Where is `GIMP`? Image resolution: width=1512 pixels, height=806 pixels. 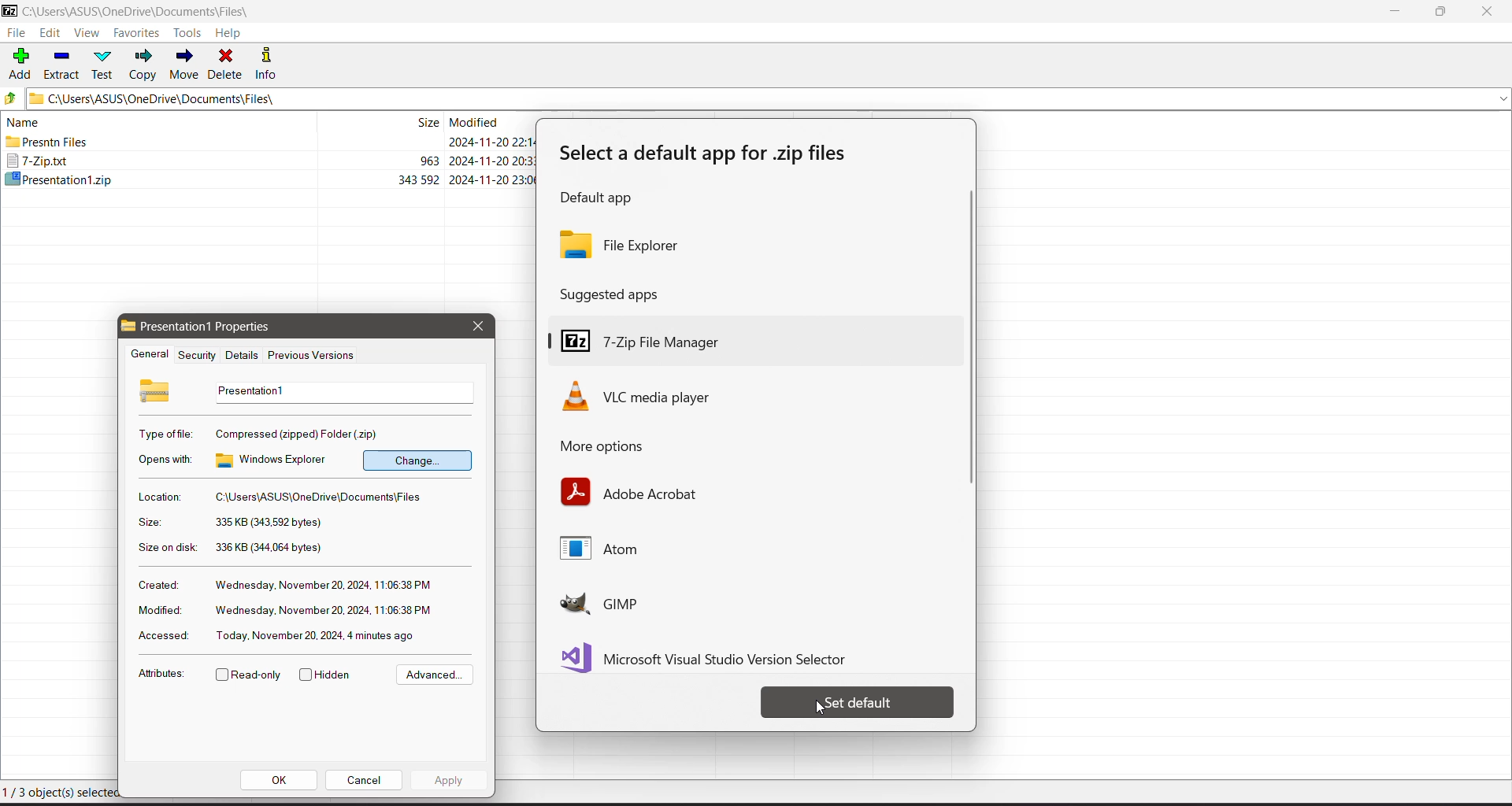 GIMP is located at coordinates (649, 604).